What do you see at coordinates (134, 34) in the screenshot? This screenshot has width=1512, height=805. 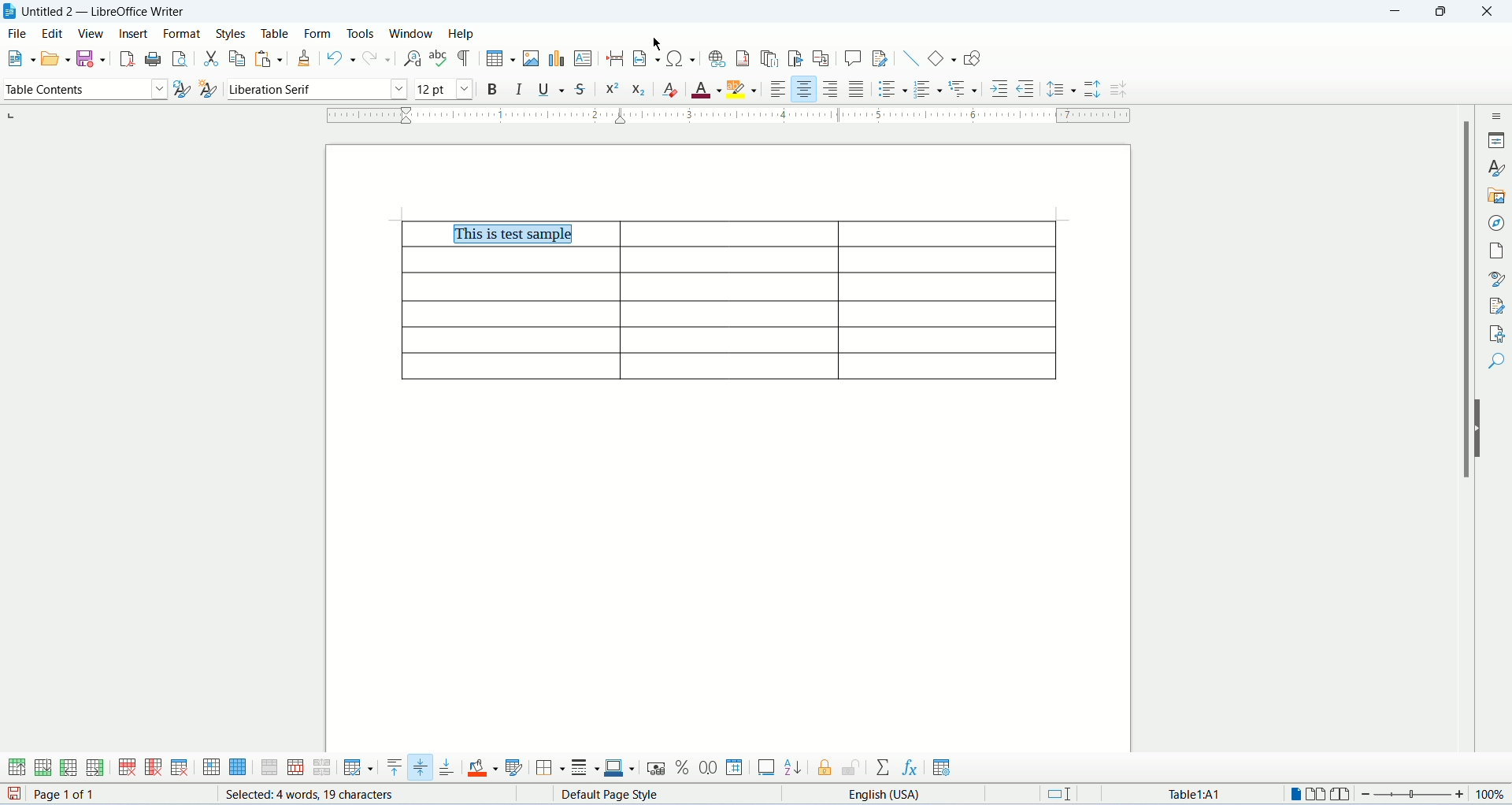 I see `insert` at bounding box center [134, 34].